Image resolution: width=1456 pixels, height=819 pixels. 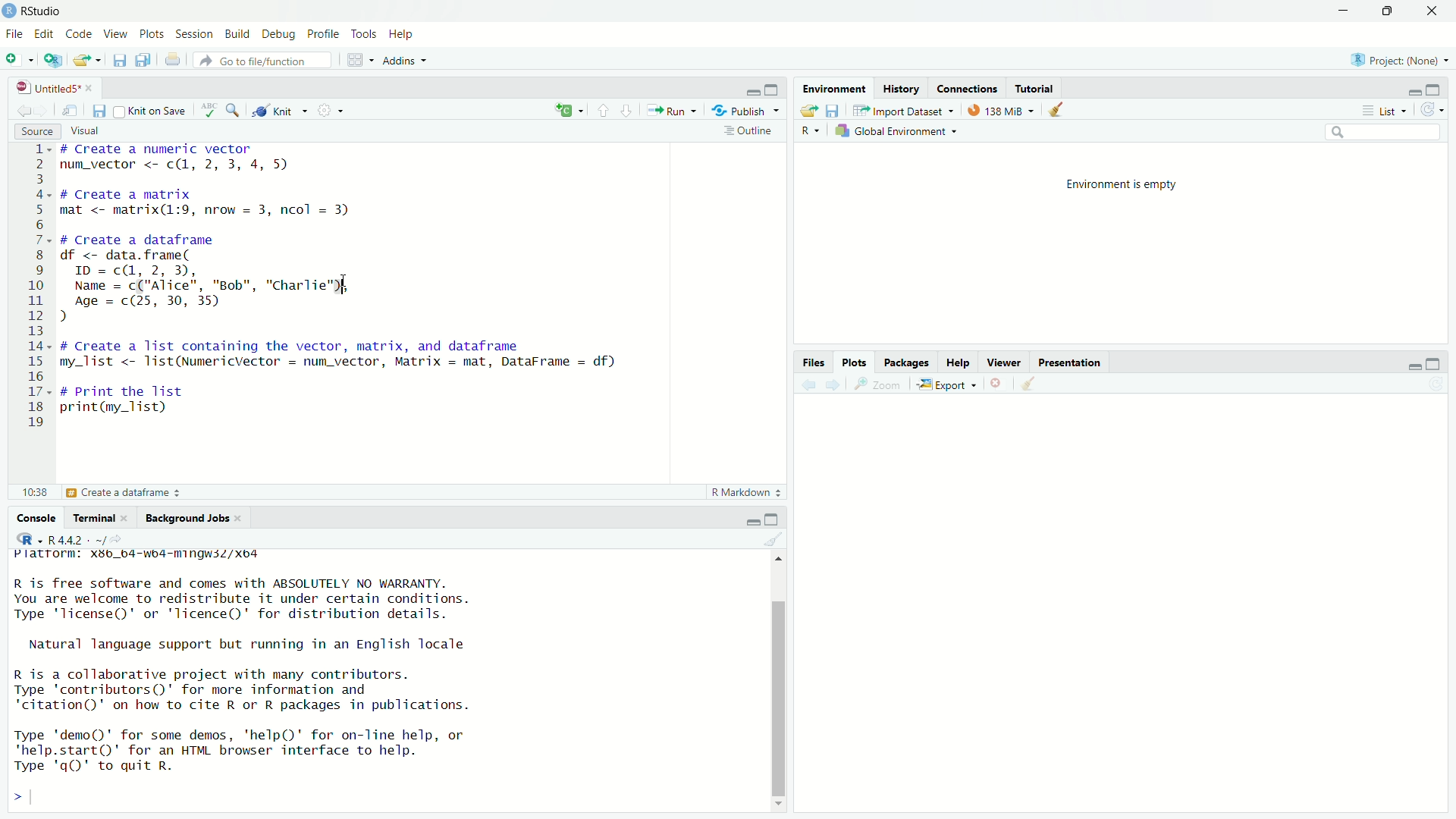 What do you see at coordinates (971, 88) in the screenshot?
I see `Connections` at bounding box center [971, 88].